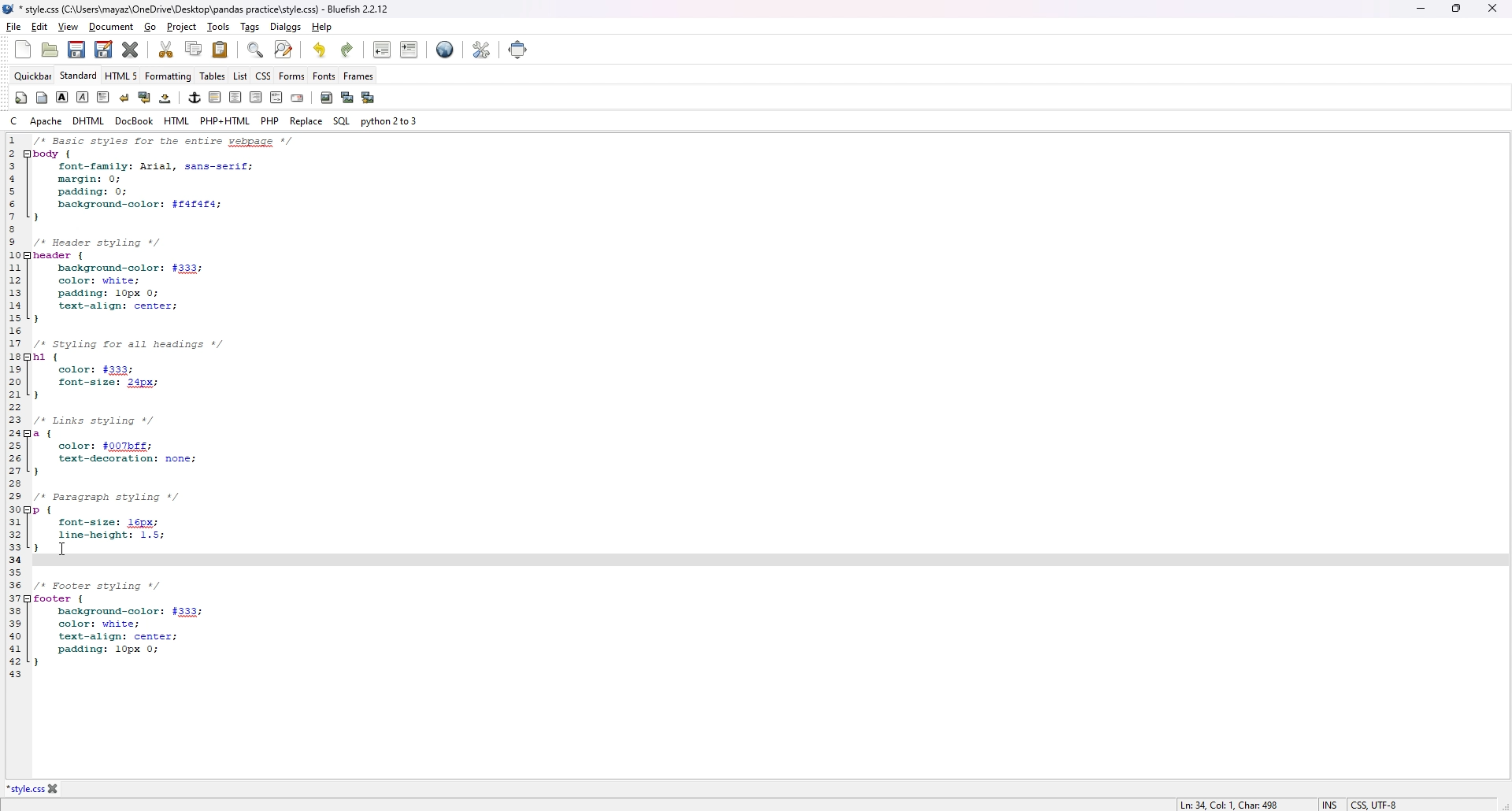  What do you see at coordinates (169, 76) in the screenshot?
I see `formatting` at bounding box center [169, 76].